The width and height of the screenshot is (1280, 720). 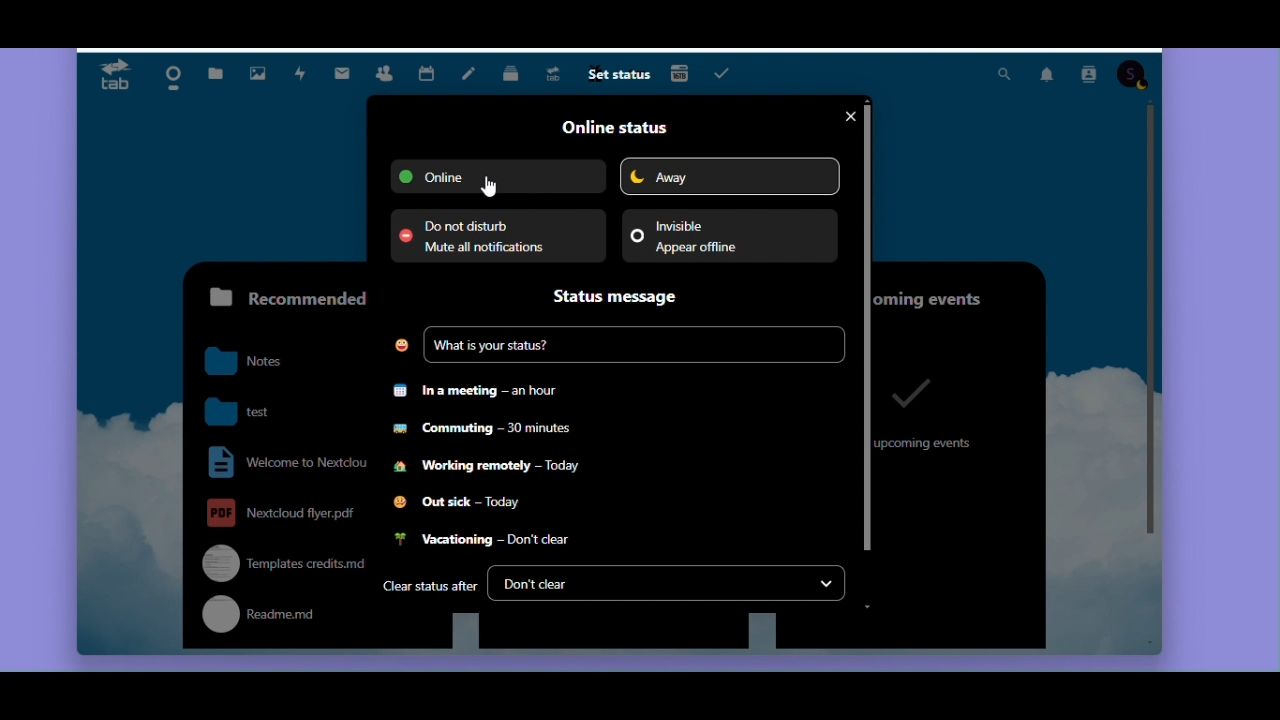 What do you see at coordinates (215, 68) in the screenshot?
I see `Files` at bounding box center [215, 68].